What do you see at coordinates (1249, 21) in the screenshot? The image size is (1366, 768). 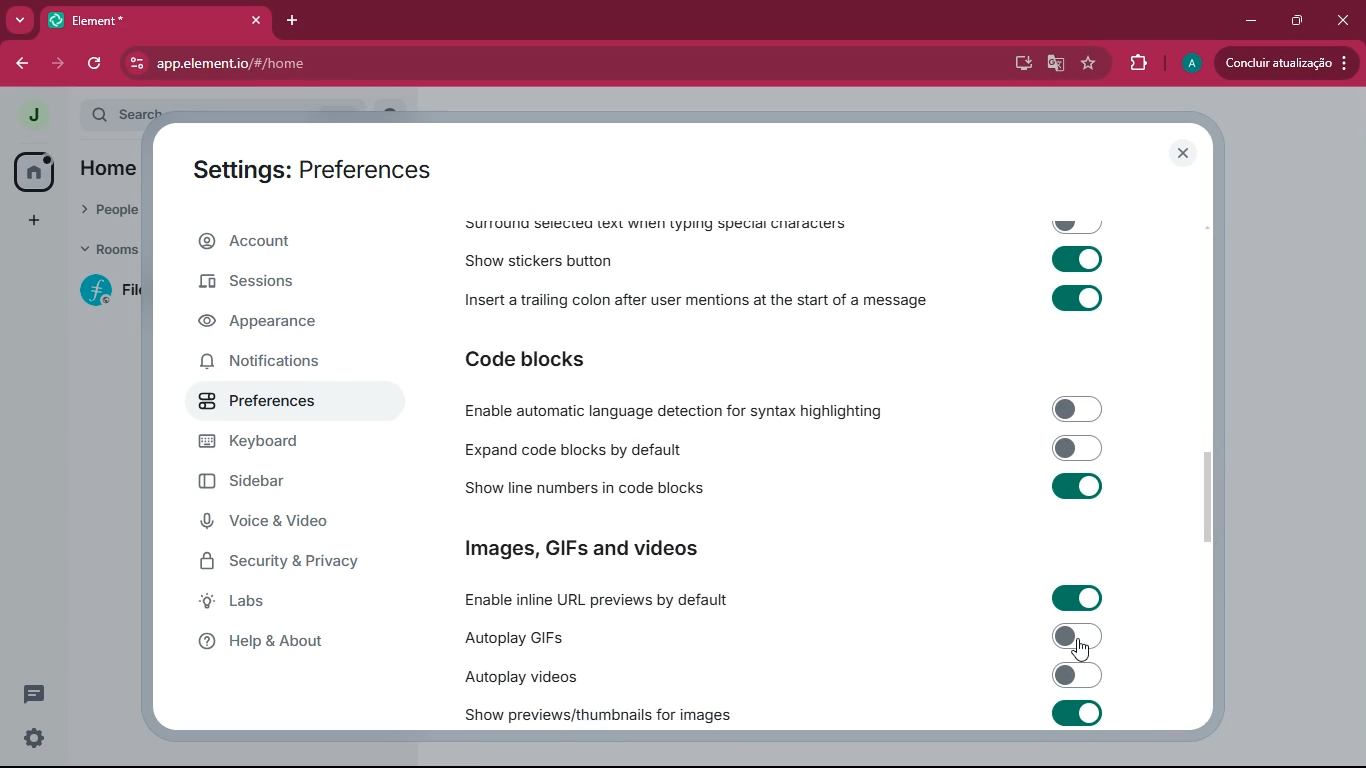 I see `minimize` at bounding box center [1249, 21].